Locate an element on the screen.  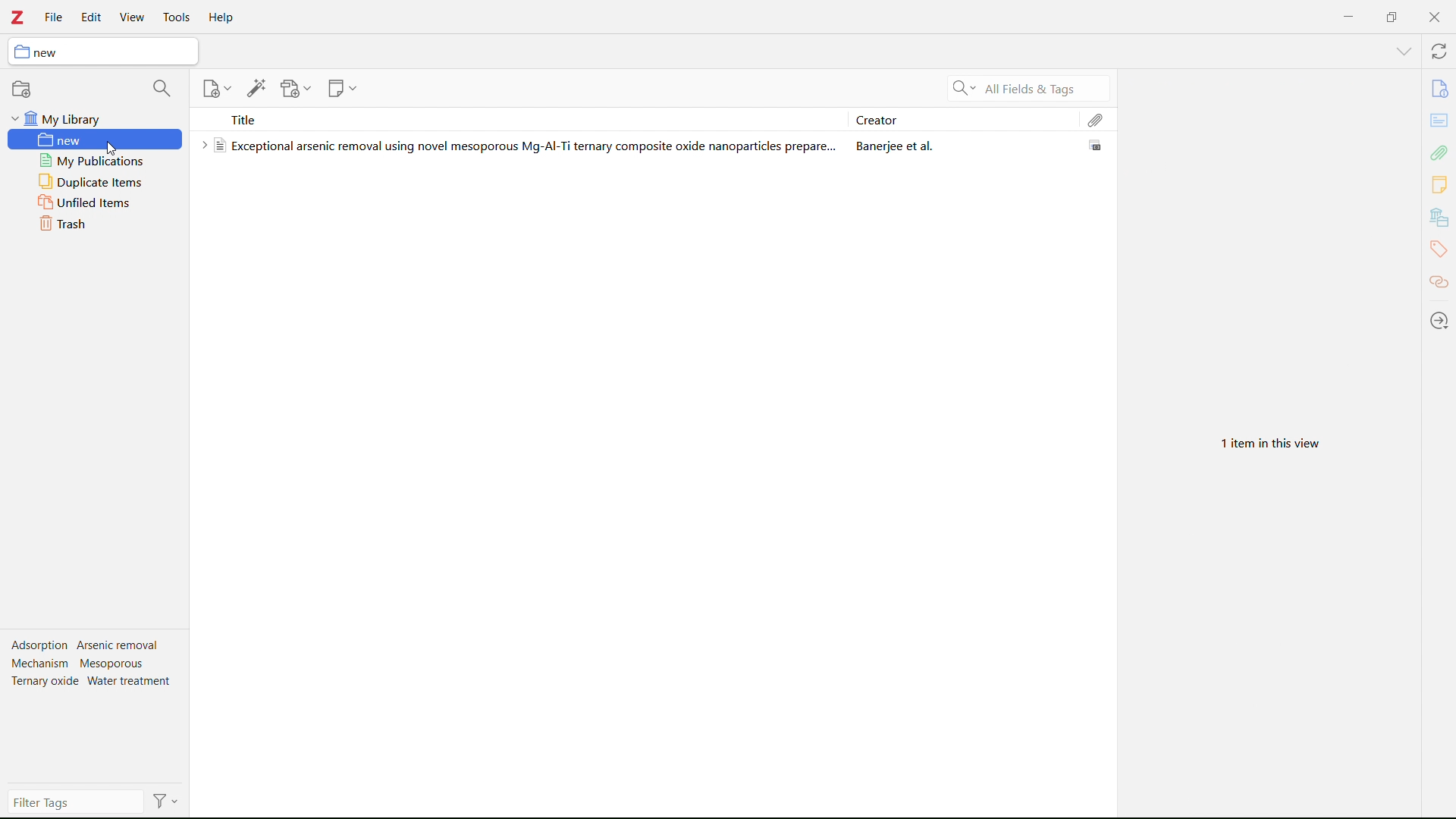
trash is located at coordinates (91, 224).